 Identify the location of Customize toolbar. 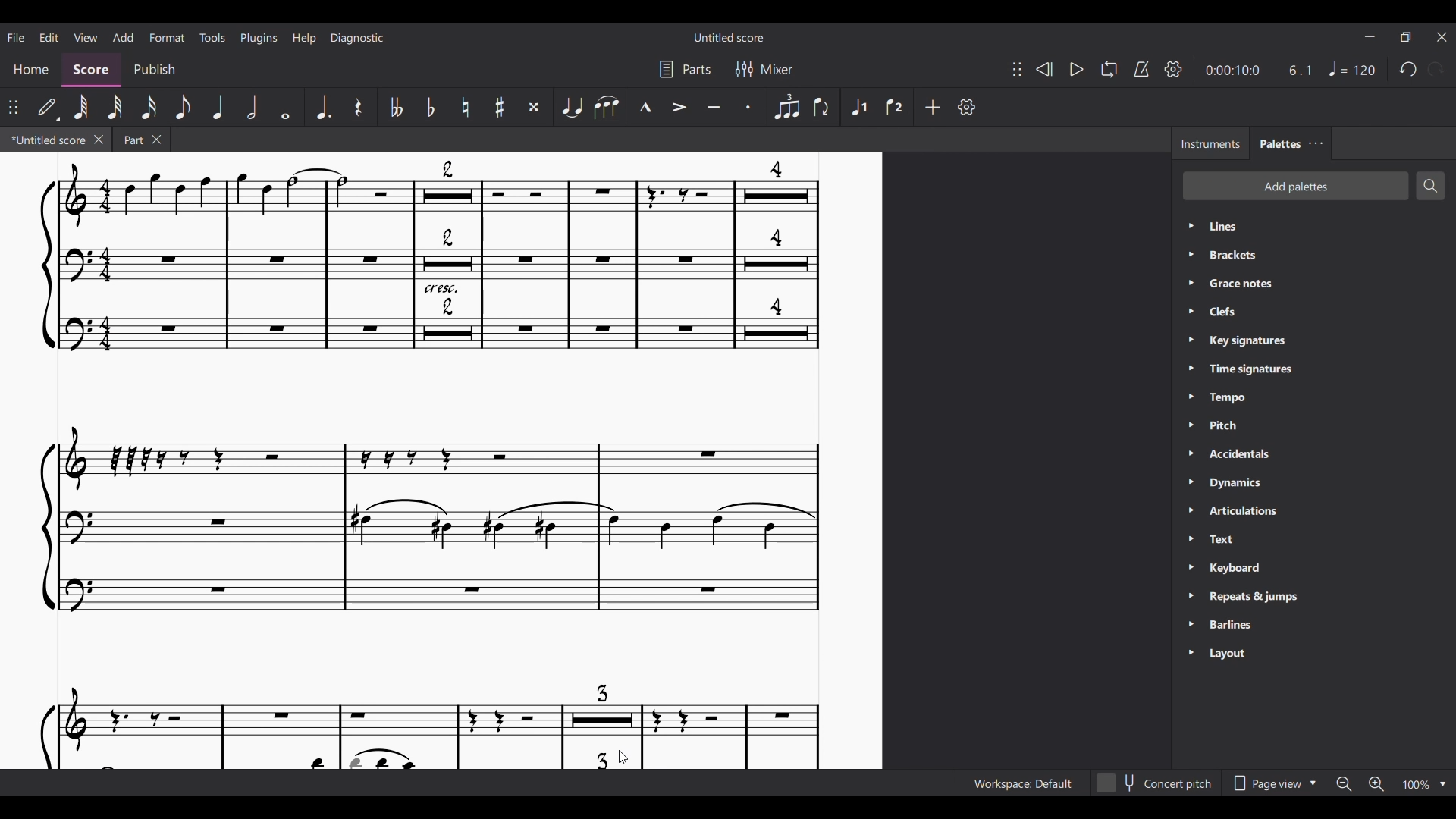
(966, 107).